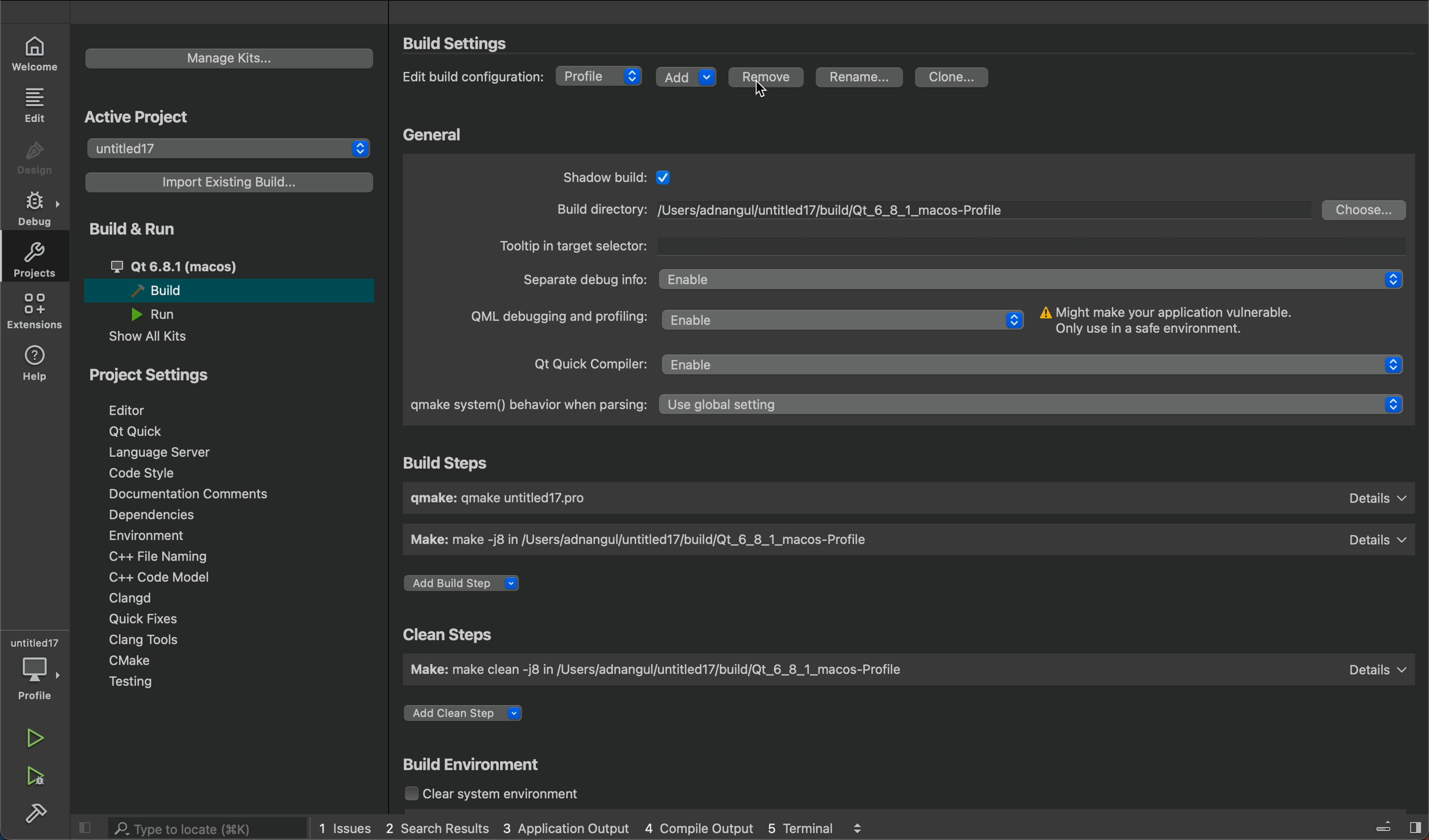 The width and height of the screenshot is (1429, 840). I want to click on design, so click(32, 155).